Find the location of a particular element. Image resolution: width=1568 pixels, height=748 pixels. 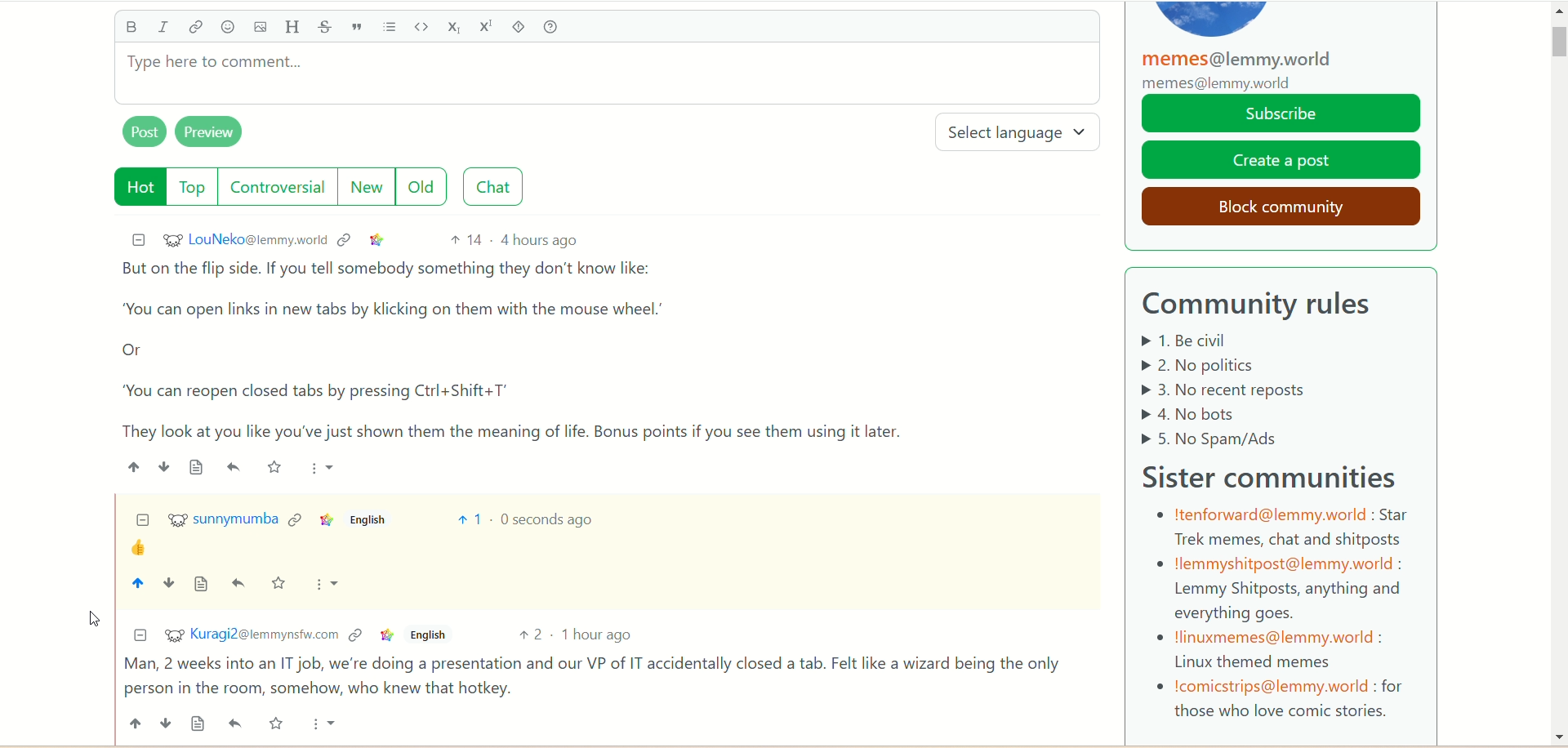

quote is located at coordinates (361, 28).